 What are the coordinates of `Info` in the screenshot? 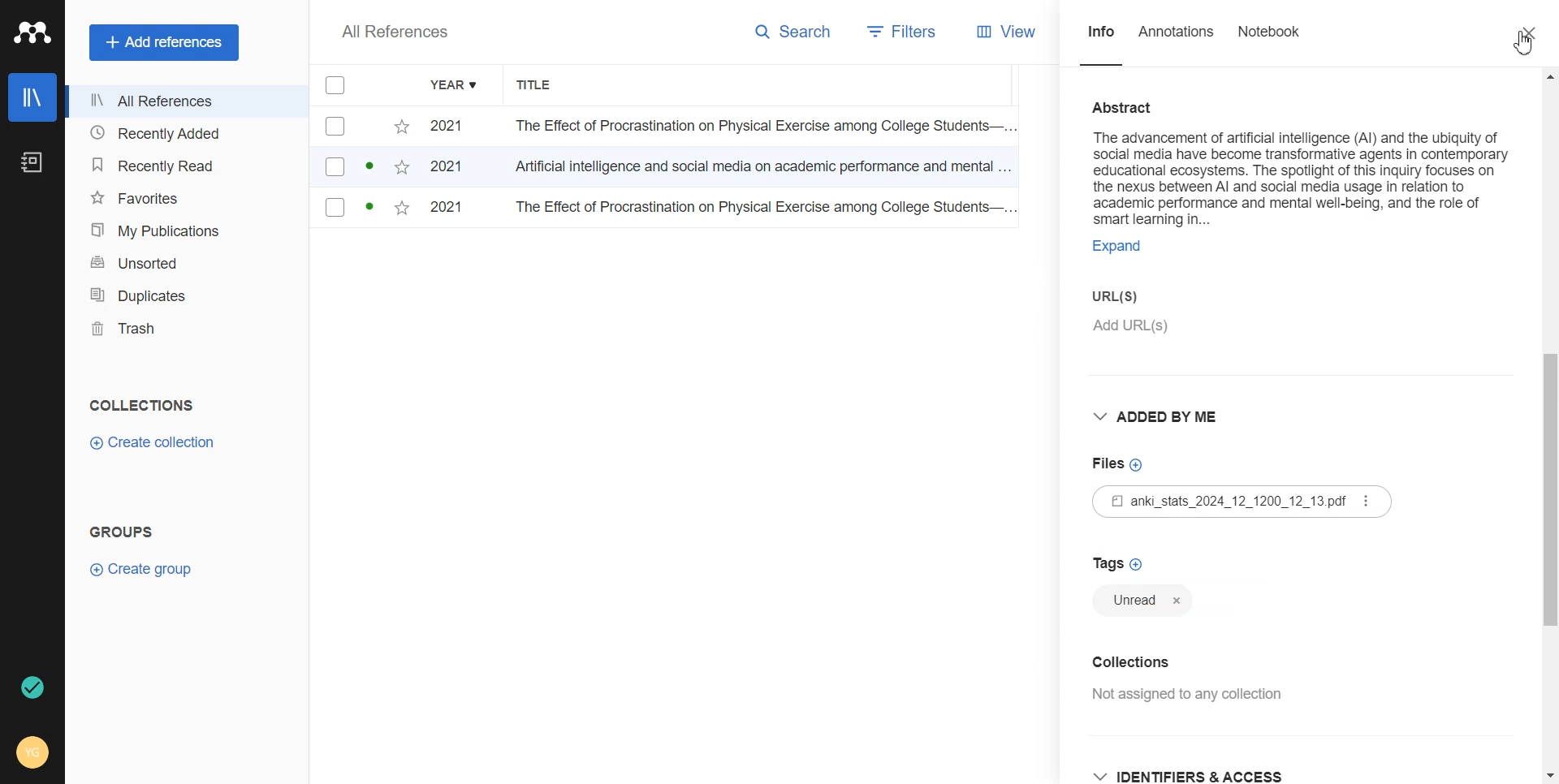 It's located at (1102, 40).